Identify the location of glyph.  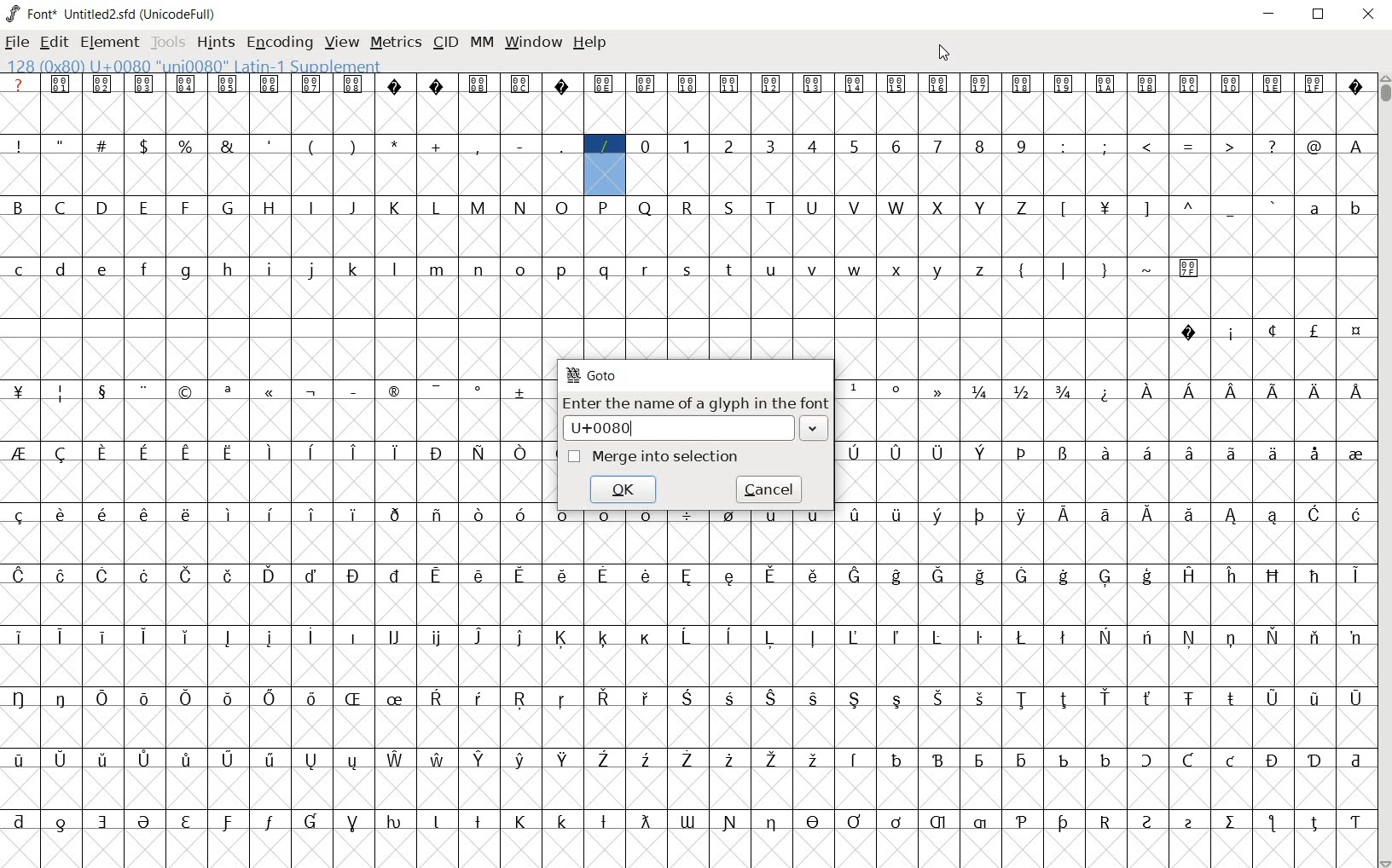
(60, 269).